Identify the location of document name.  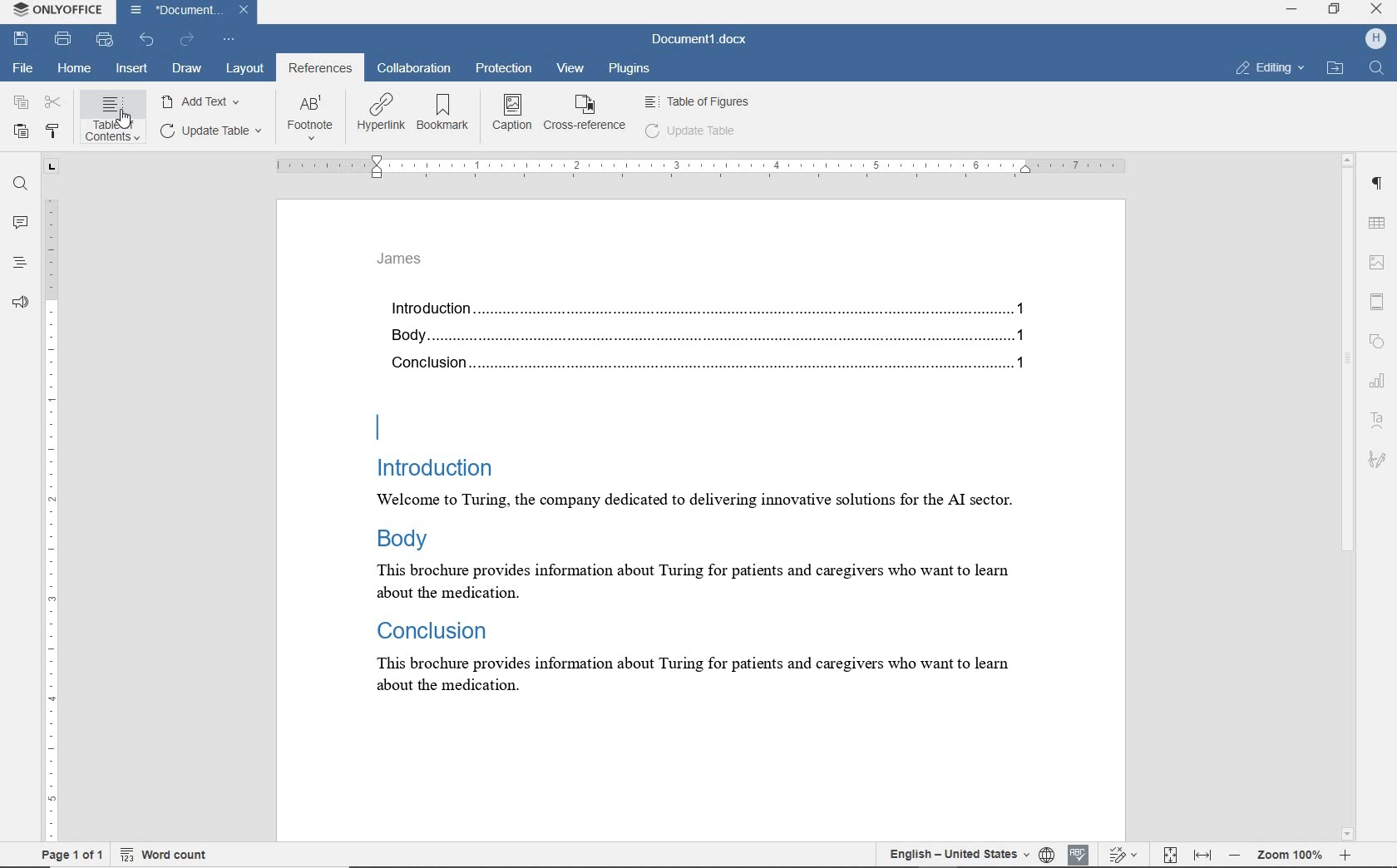
(696, 37).